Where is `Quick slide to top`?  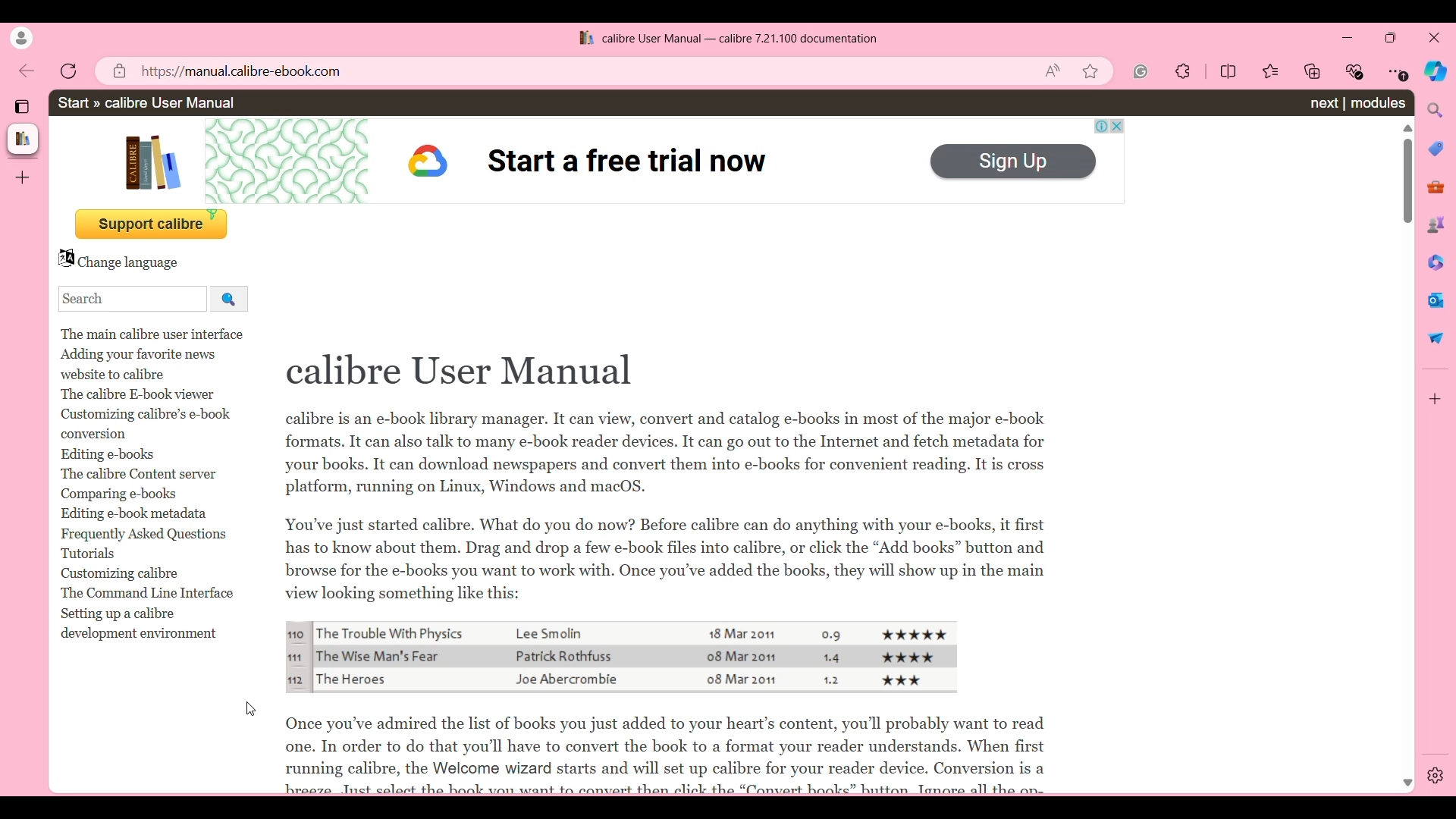 Quick slide to top is located at coordinates (1408, 127).